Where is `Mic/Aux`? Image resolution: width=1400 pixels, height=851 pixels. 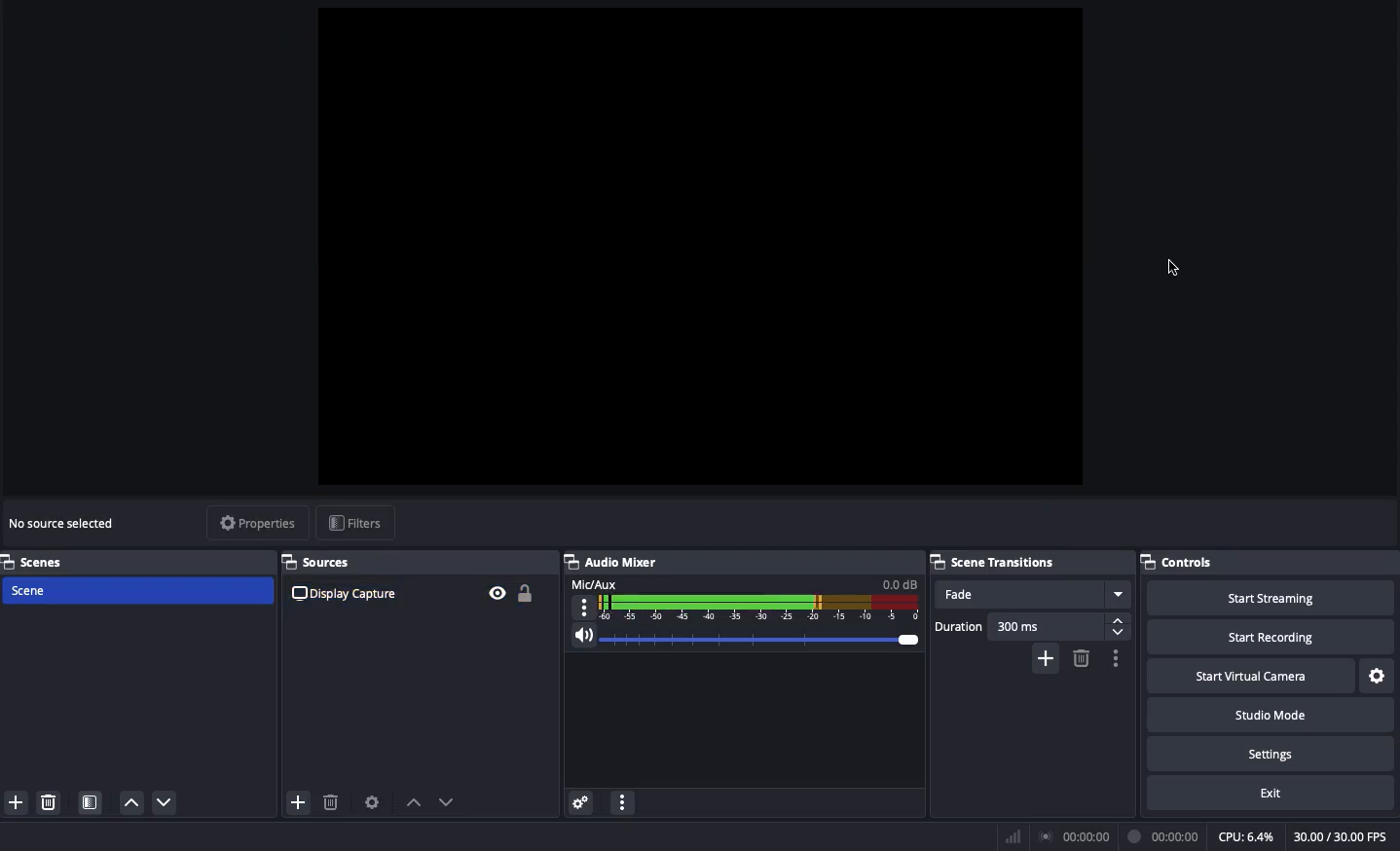 Mic/Aux is located at coordinates (742, 598).